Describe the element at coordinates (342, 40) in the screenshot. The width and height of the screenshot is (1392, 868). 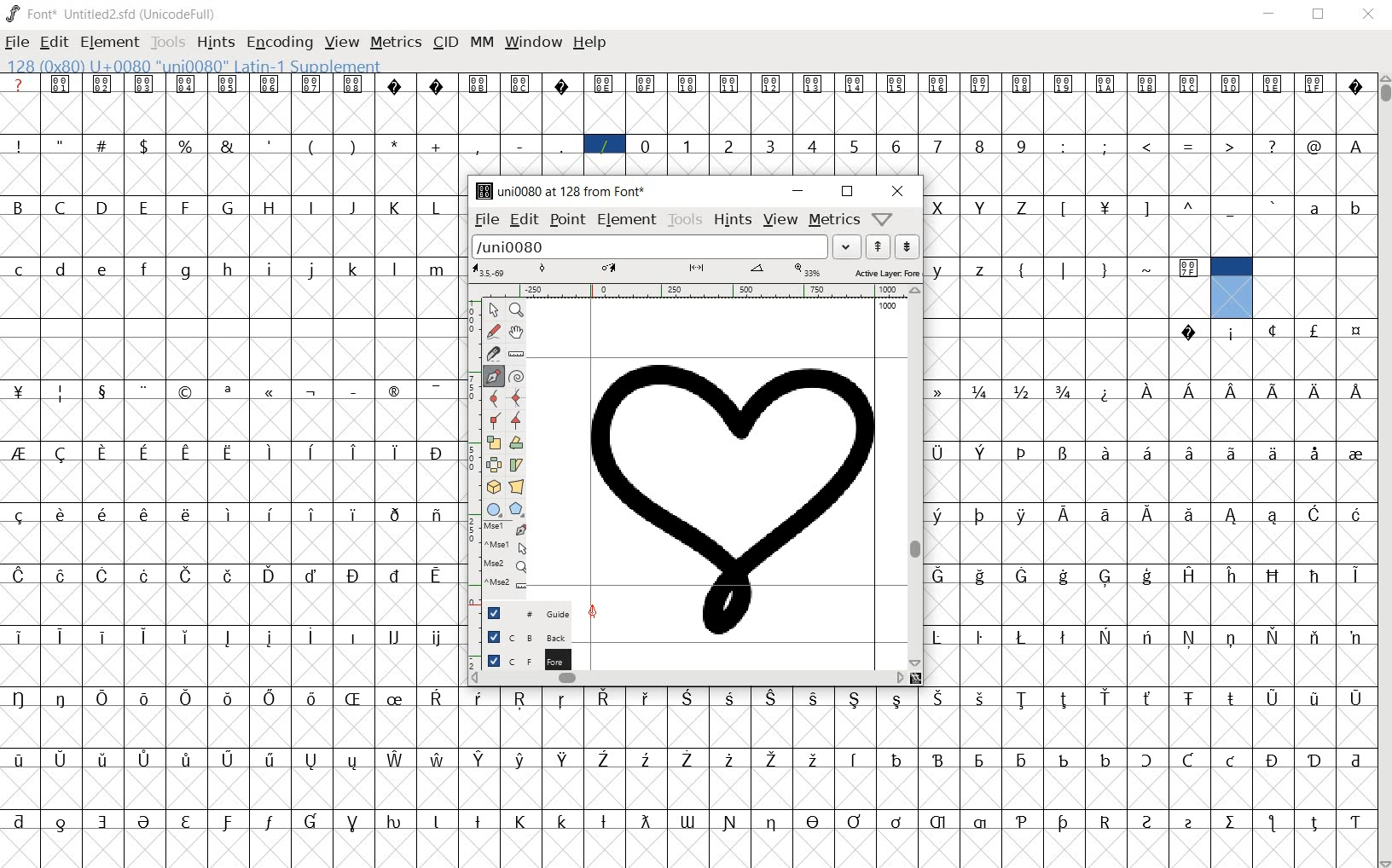
I see `VIEW` at that location.